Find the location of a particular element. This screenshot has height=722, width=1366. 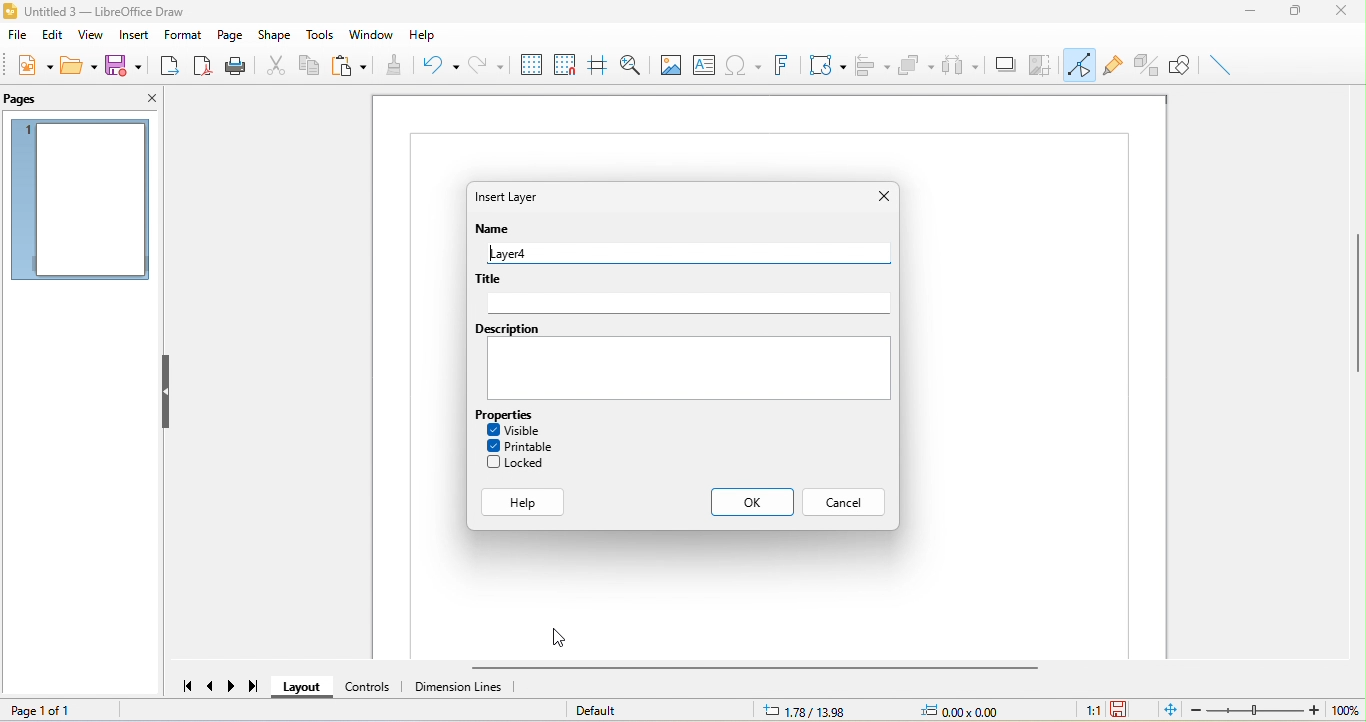

format is located at coordinates (181, 35).